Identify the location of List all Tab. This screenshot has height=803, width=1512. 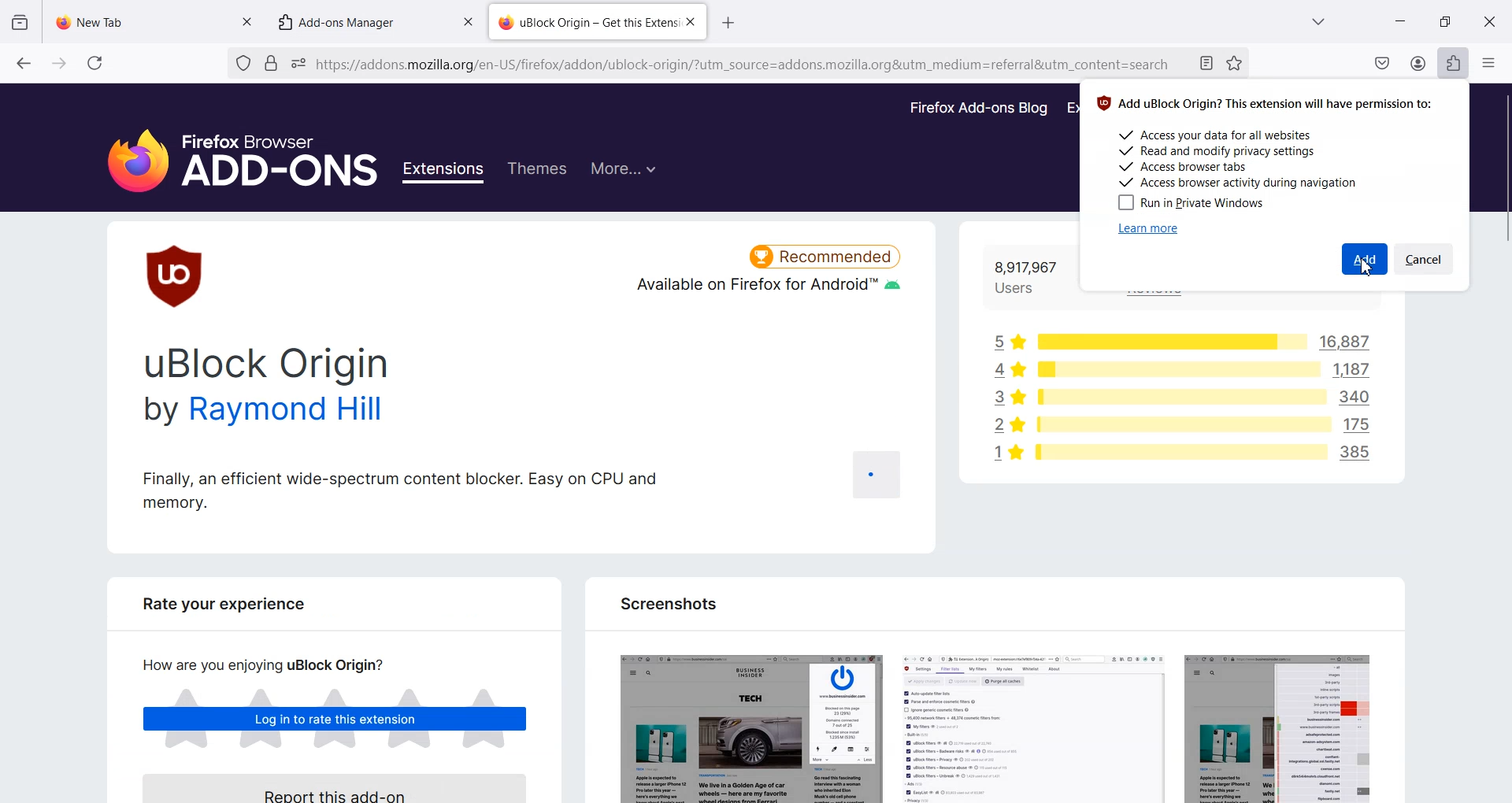
(1317, 21).